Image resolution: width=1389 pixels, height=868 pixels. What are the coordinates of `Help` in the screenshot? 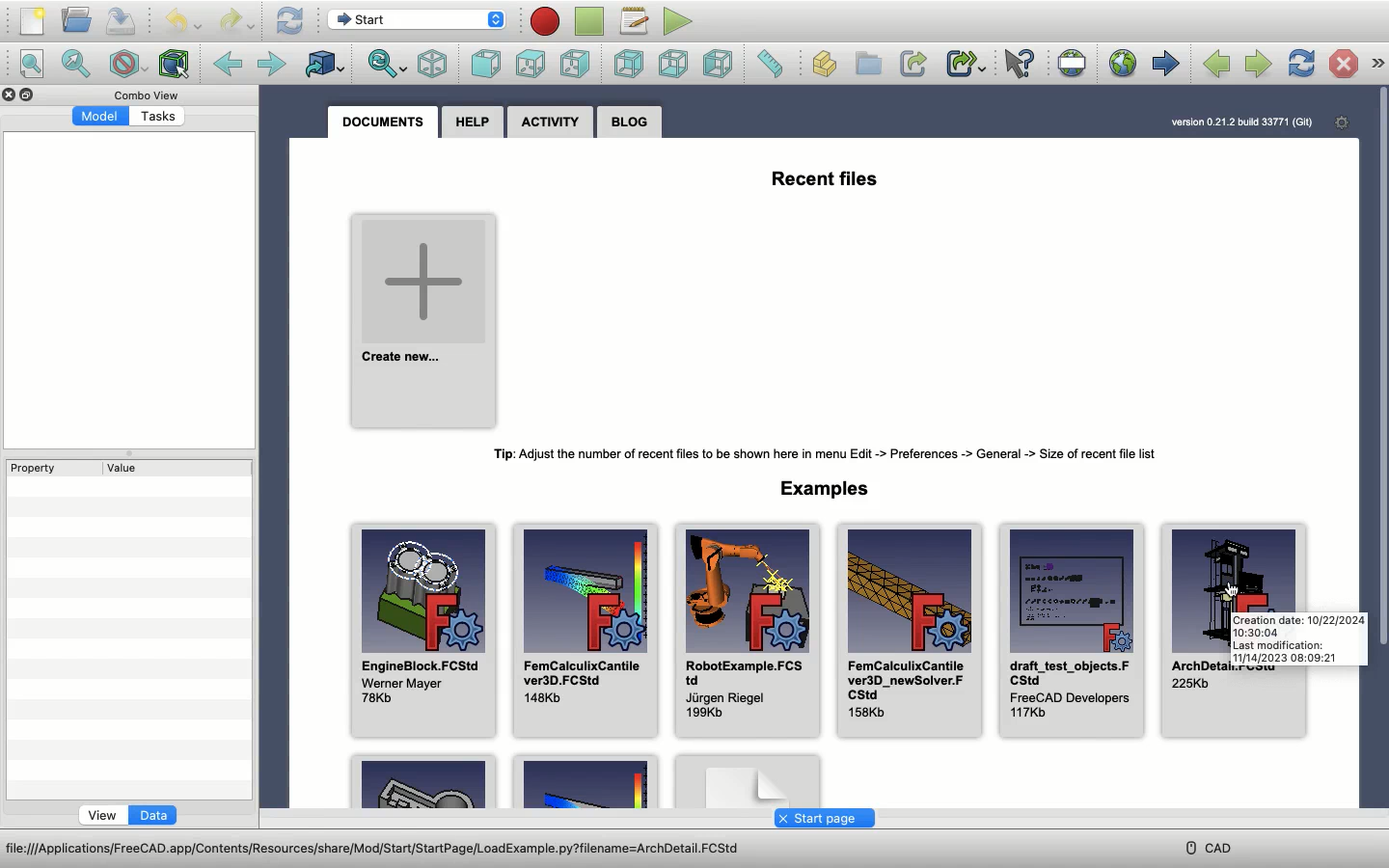 It's located at (468, 121).